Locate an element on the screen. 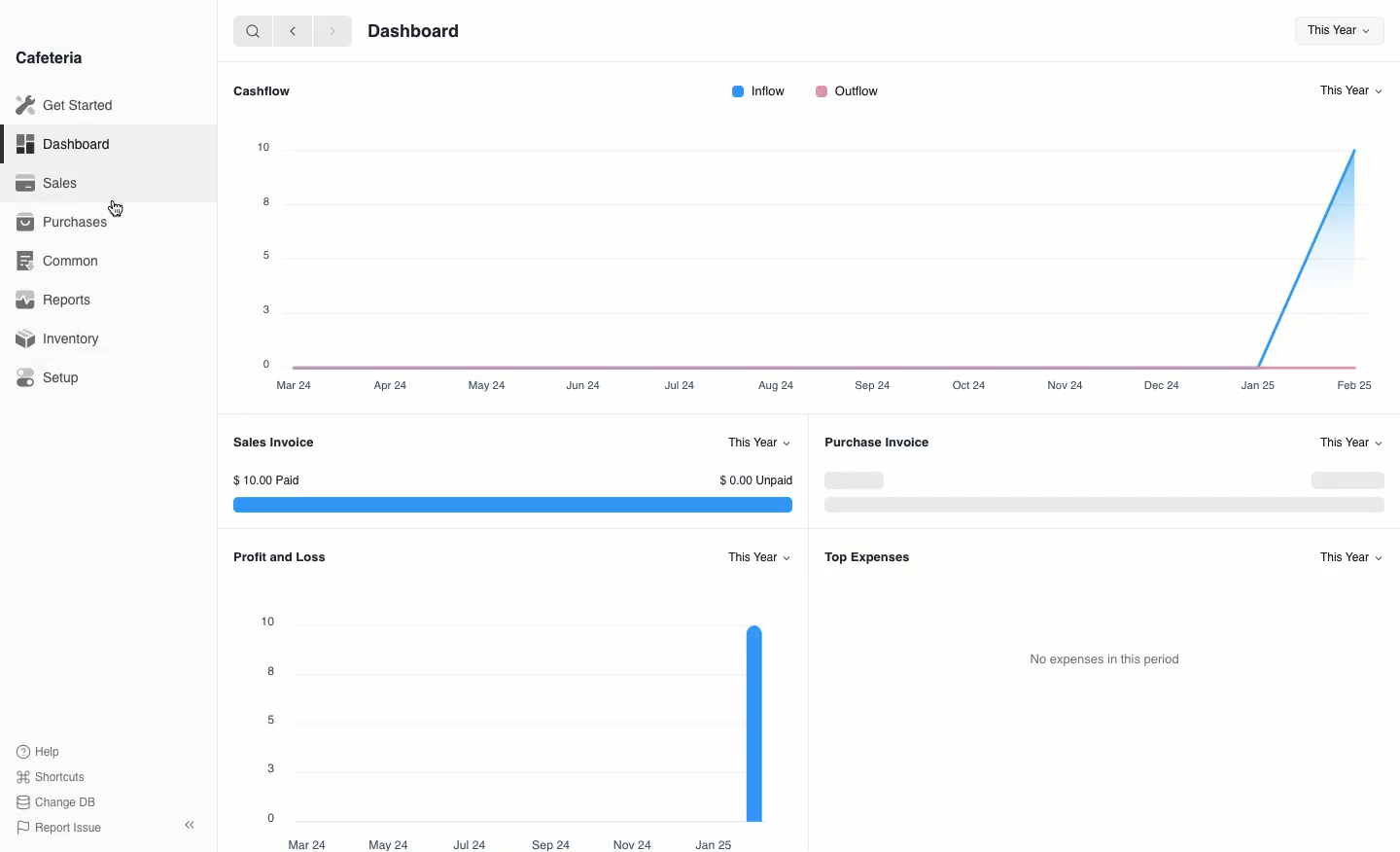  Collapse is located at coordinates (192, 825).